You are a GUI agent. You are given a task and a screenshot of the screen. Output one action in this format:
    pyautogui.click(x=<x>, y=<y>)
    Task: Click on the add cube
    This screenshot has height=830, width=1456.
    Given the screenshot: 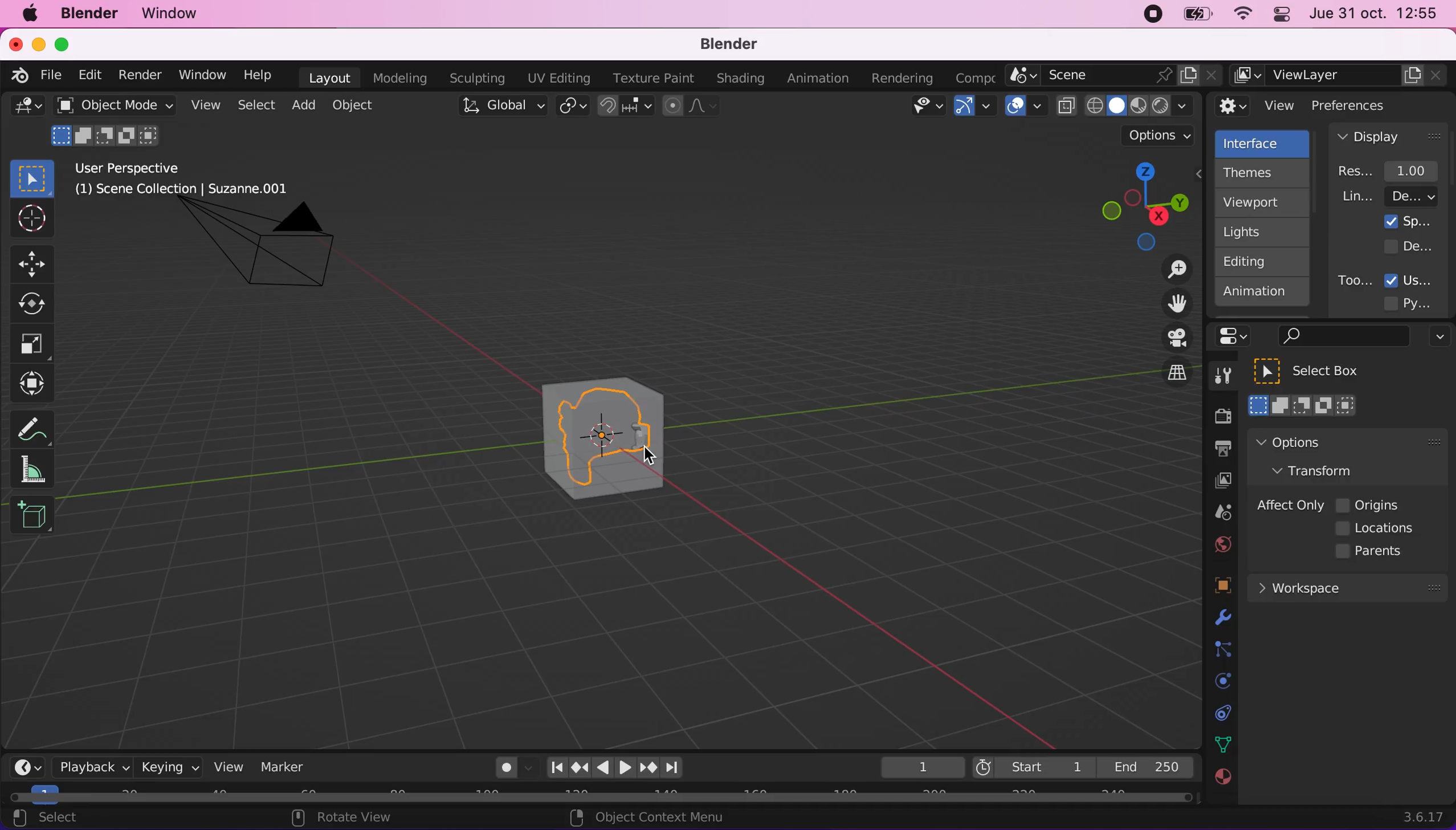 What is the action you would take?
    pyautogui.click(x=32, y=516)
    